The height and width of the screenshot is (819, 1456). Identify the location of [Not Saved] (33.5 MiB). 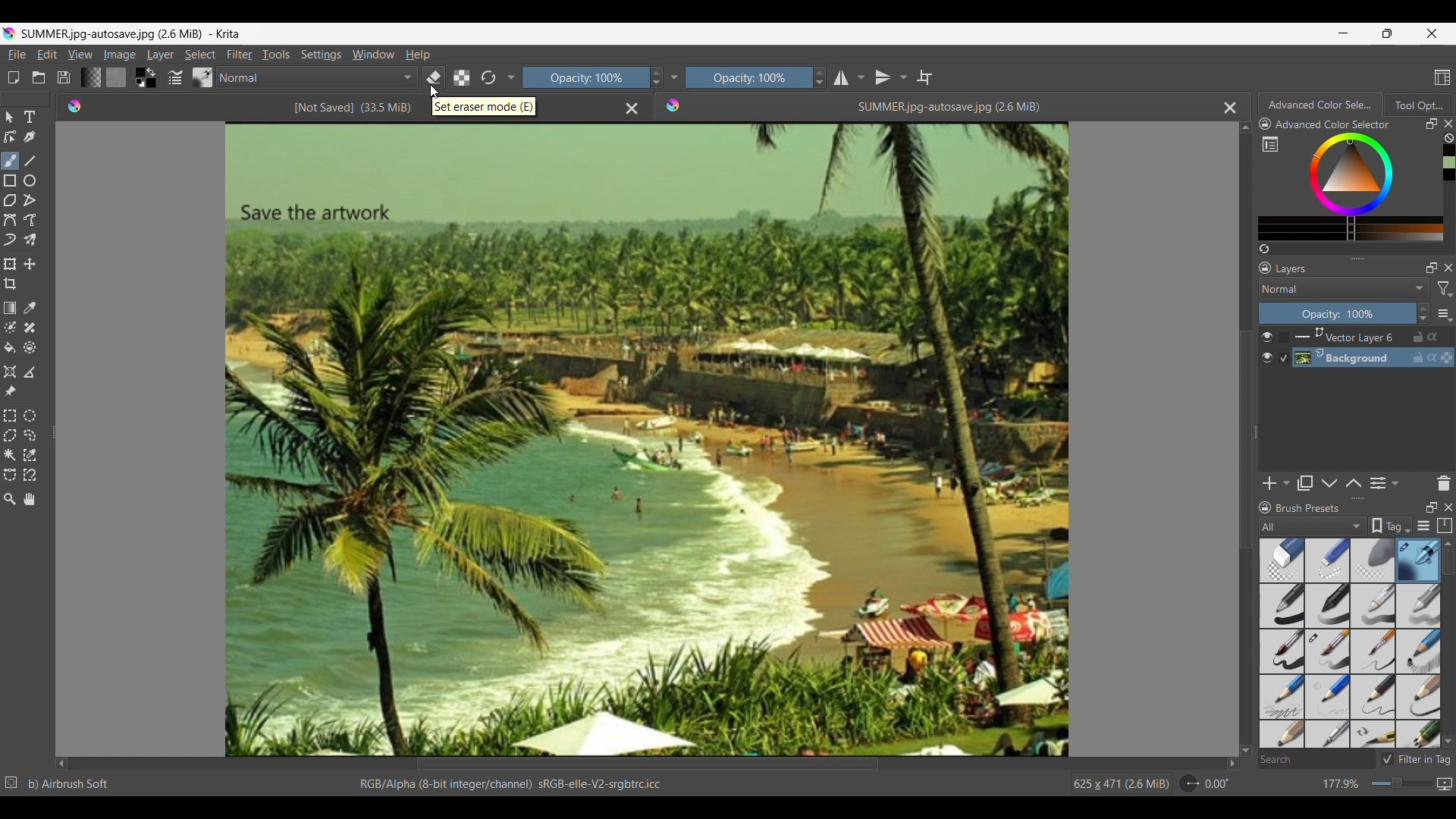
(352, 108).